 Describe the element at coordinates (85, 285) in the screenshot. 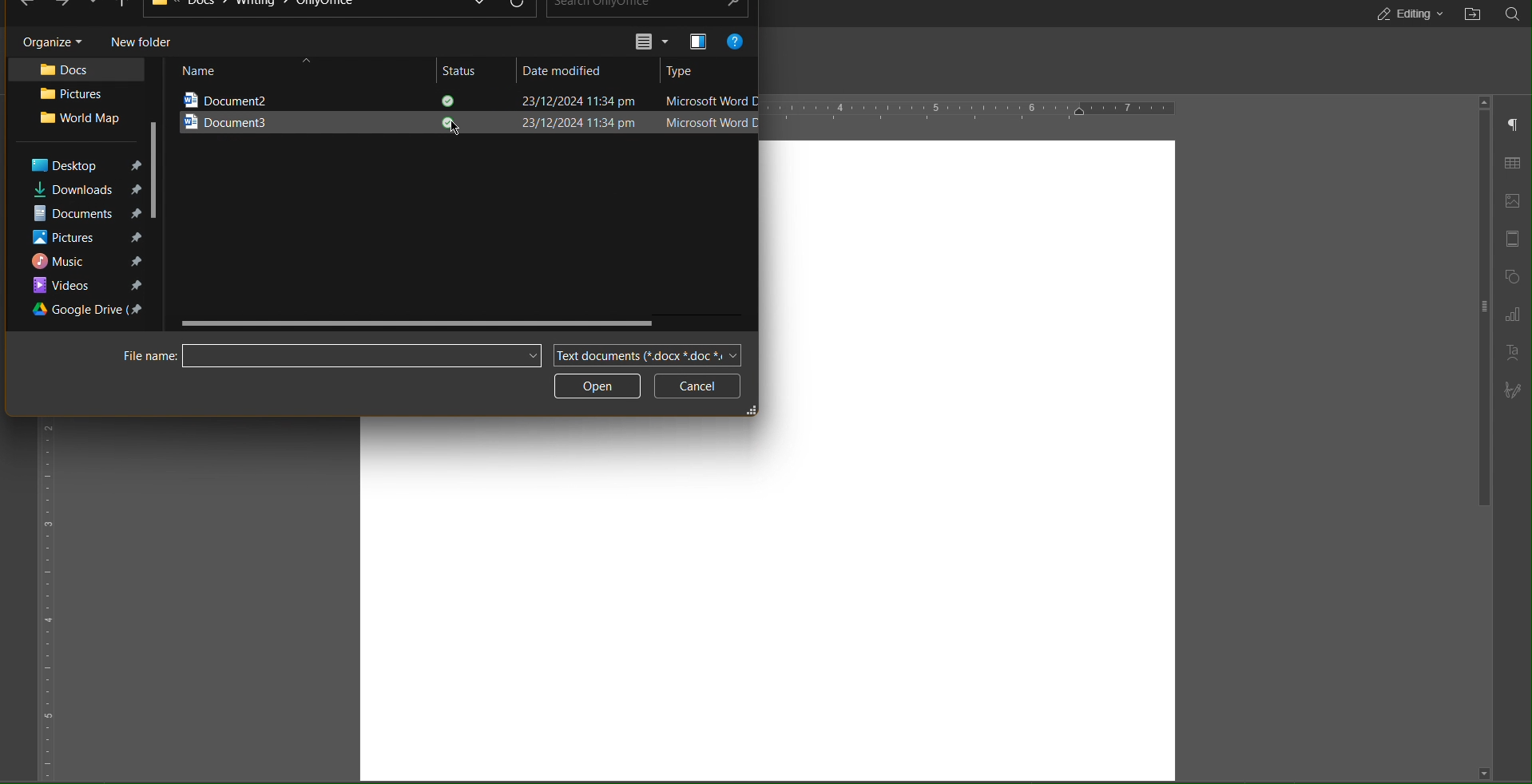

I see `Videos` at that location.